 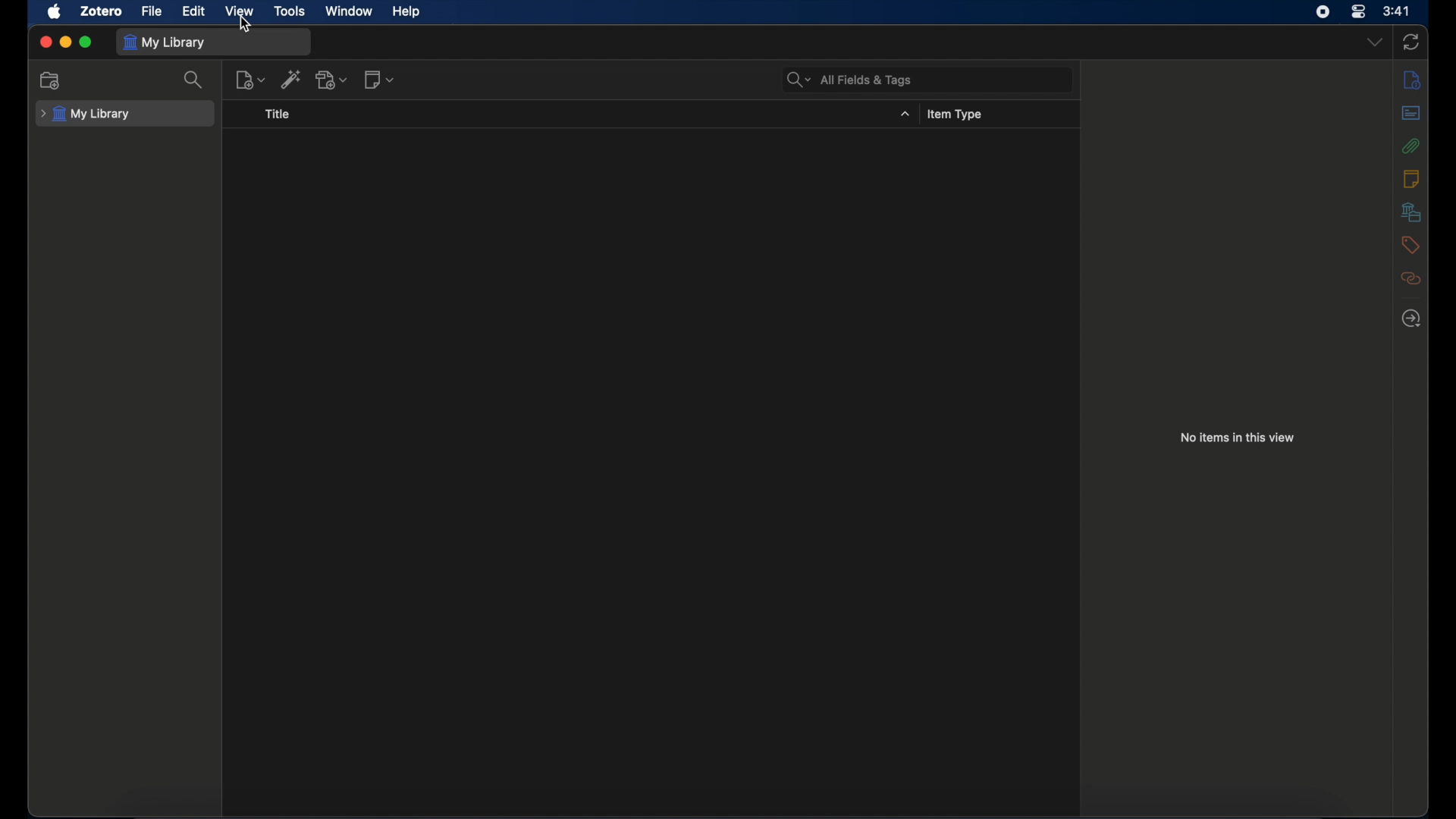 What do you see at coordinates (194, 11) in the screenshot?
I see `edit` at bounding box center [194, 11].